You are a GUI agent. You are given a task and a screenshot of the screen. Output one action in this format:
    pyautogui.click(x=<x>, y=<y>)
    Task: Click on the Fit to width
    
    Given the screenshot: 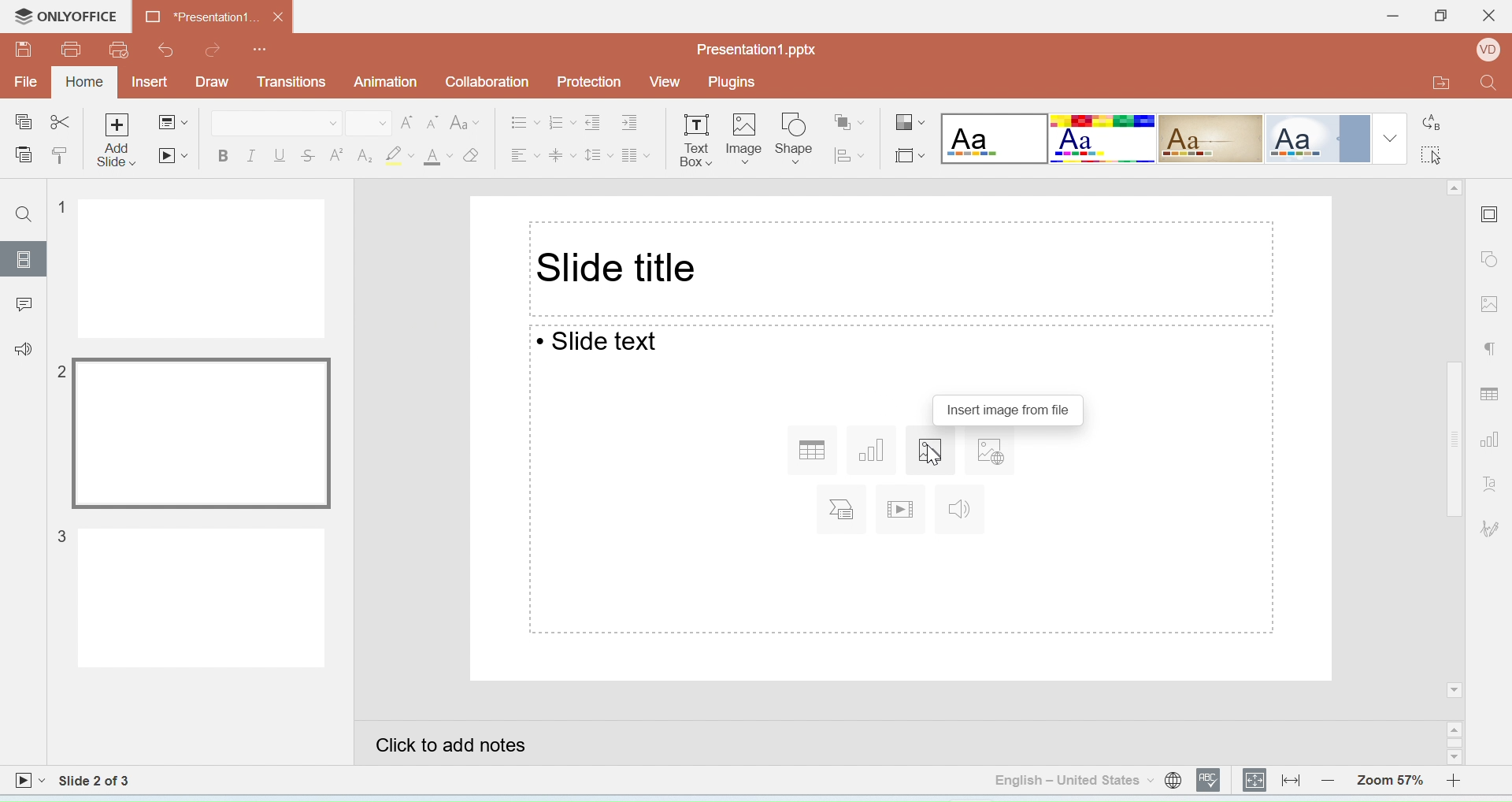 What is the action you would take?
    pyautogui.click(x=1291, y=780)
    